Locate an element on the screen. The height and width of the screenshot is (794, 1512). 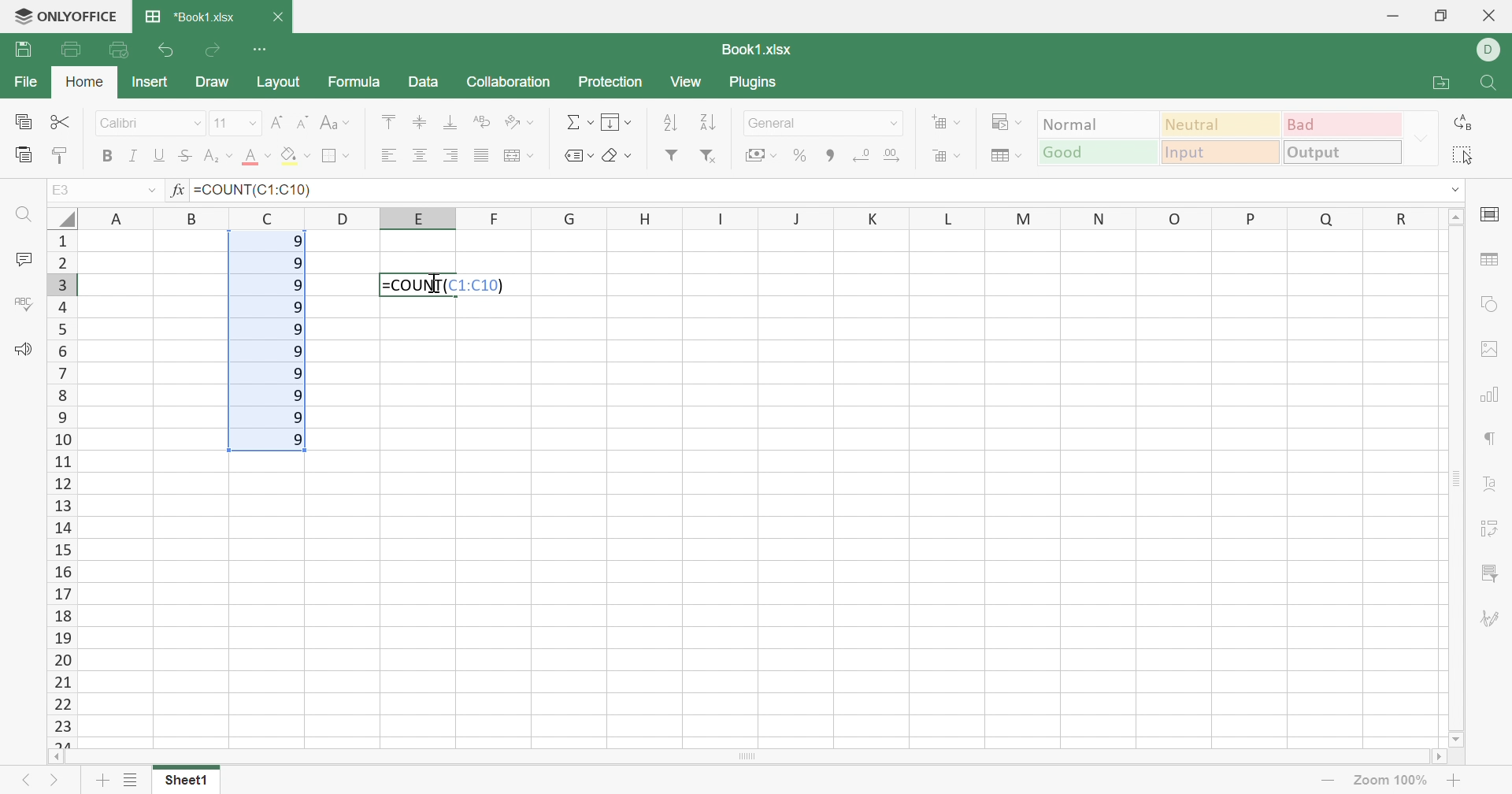
Conditional formatting is located at coordinates (1006, 121).